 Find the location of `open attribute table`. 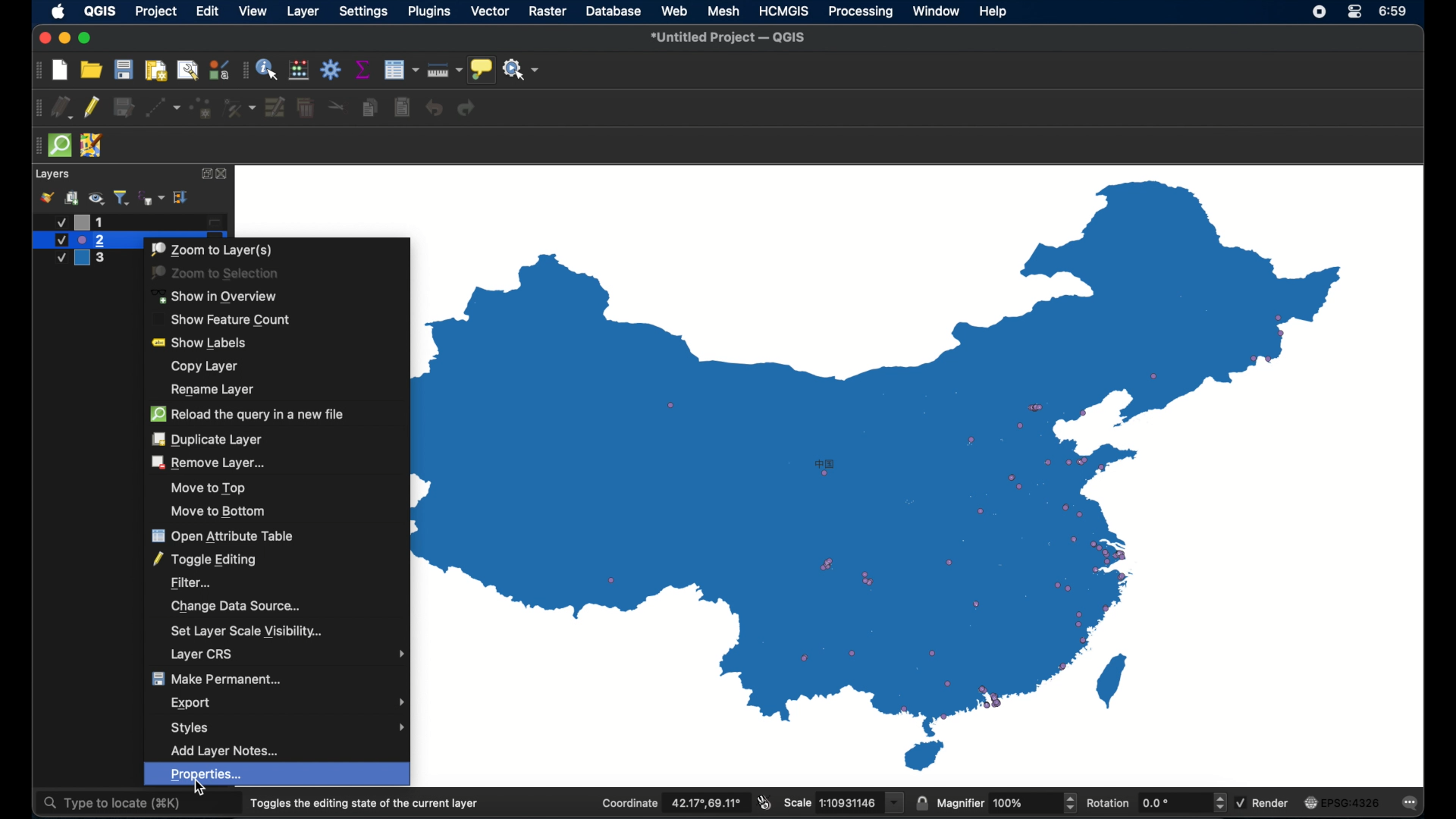

open attribute table is located at coordinates (402, 69).